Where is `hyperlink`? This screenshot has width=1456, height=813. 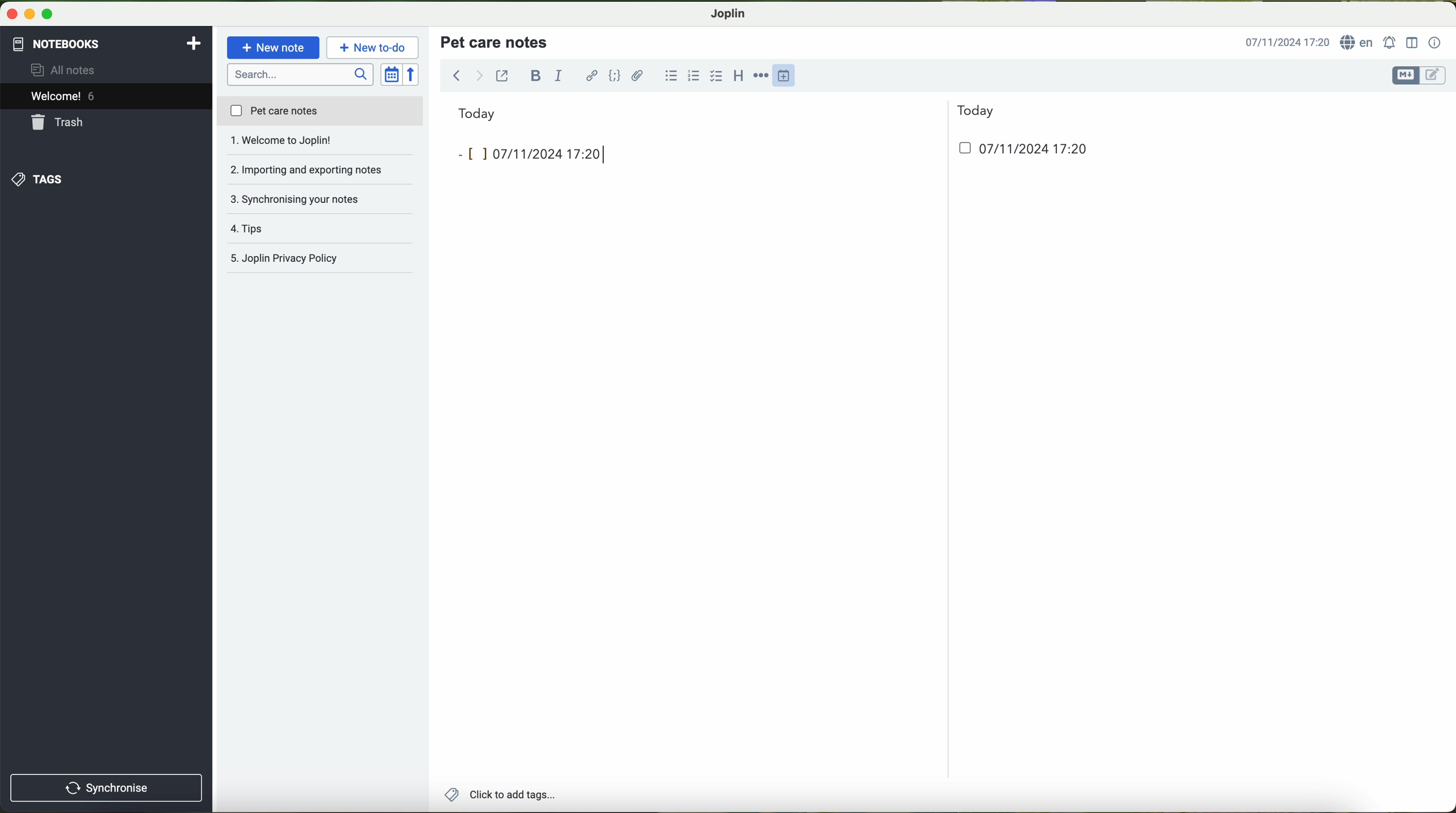 hyperlink is located at coordinates (593, 77).